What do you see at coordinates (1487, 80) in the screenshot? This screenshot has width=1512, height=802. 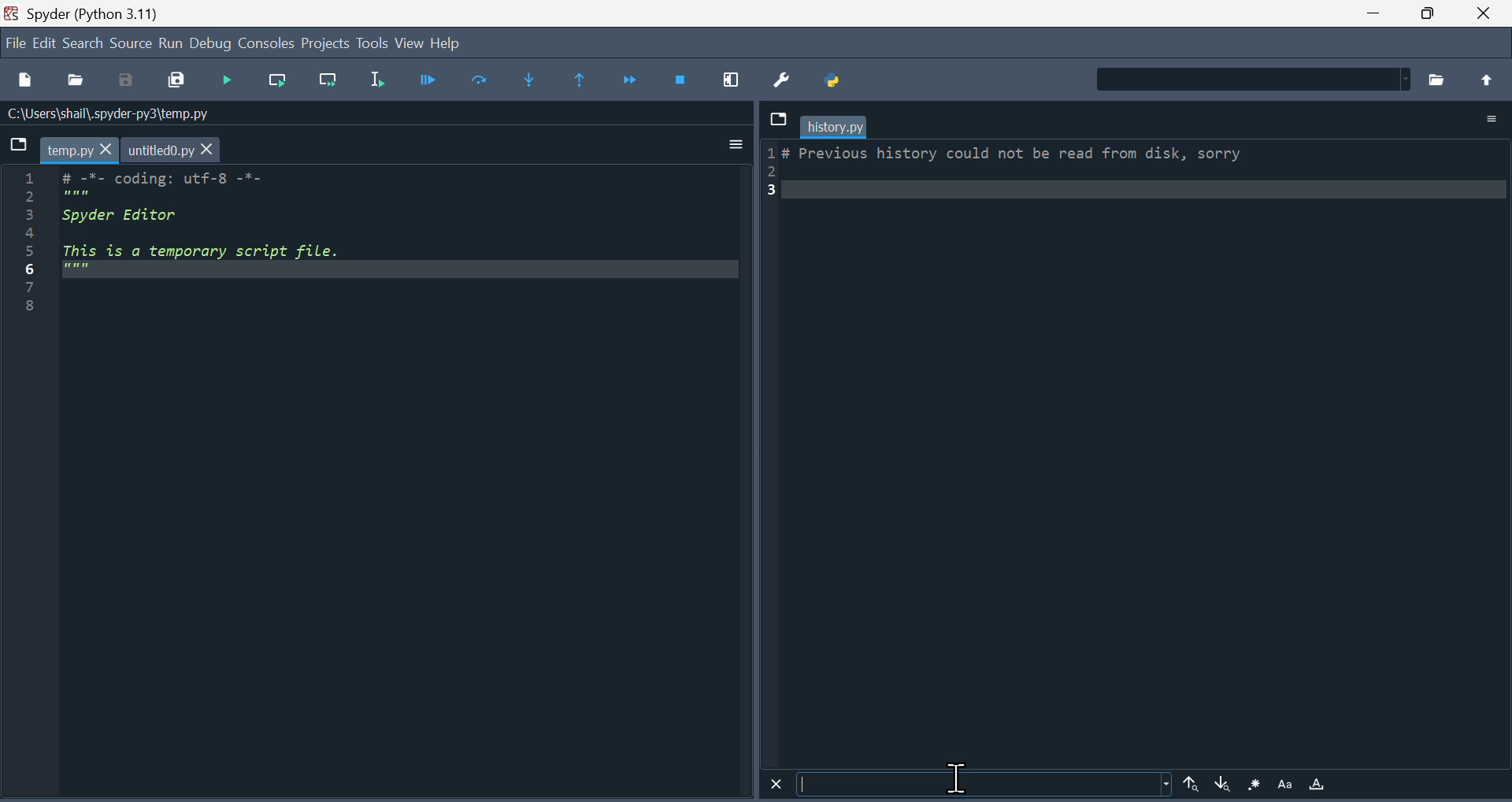 I see `move up` at bounding box center [1487, 80].